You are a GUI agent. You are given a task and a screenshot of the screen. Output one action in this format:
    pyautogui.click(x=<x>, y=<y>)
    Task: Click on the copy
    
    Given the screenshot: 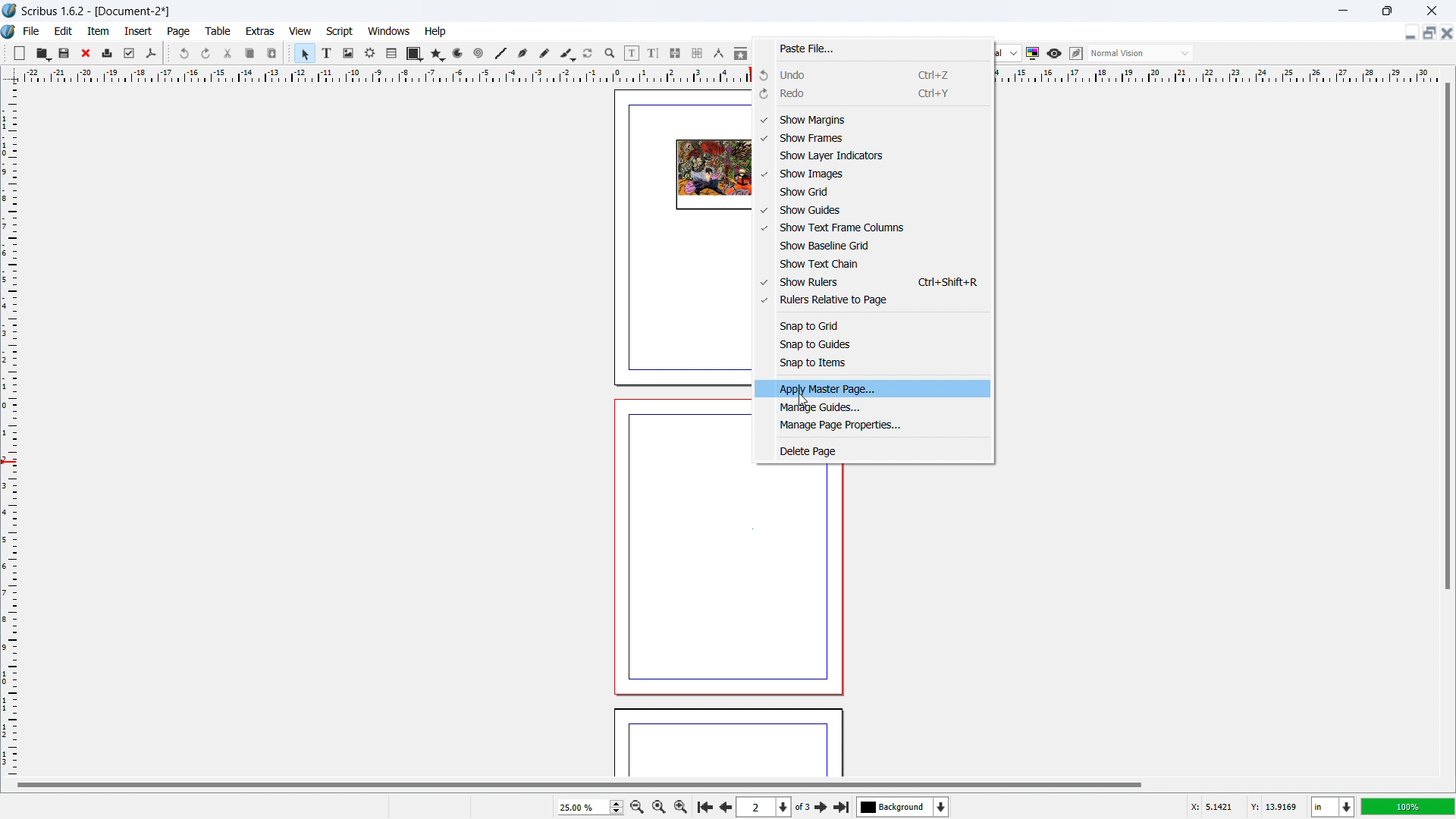 What is the action you would take?
    pyautogui.click(x=251, y=53)
    